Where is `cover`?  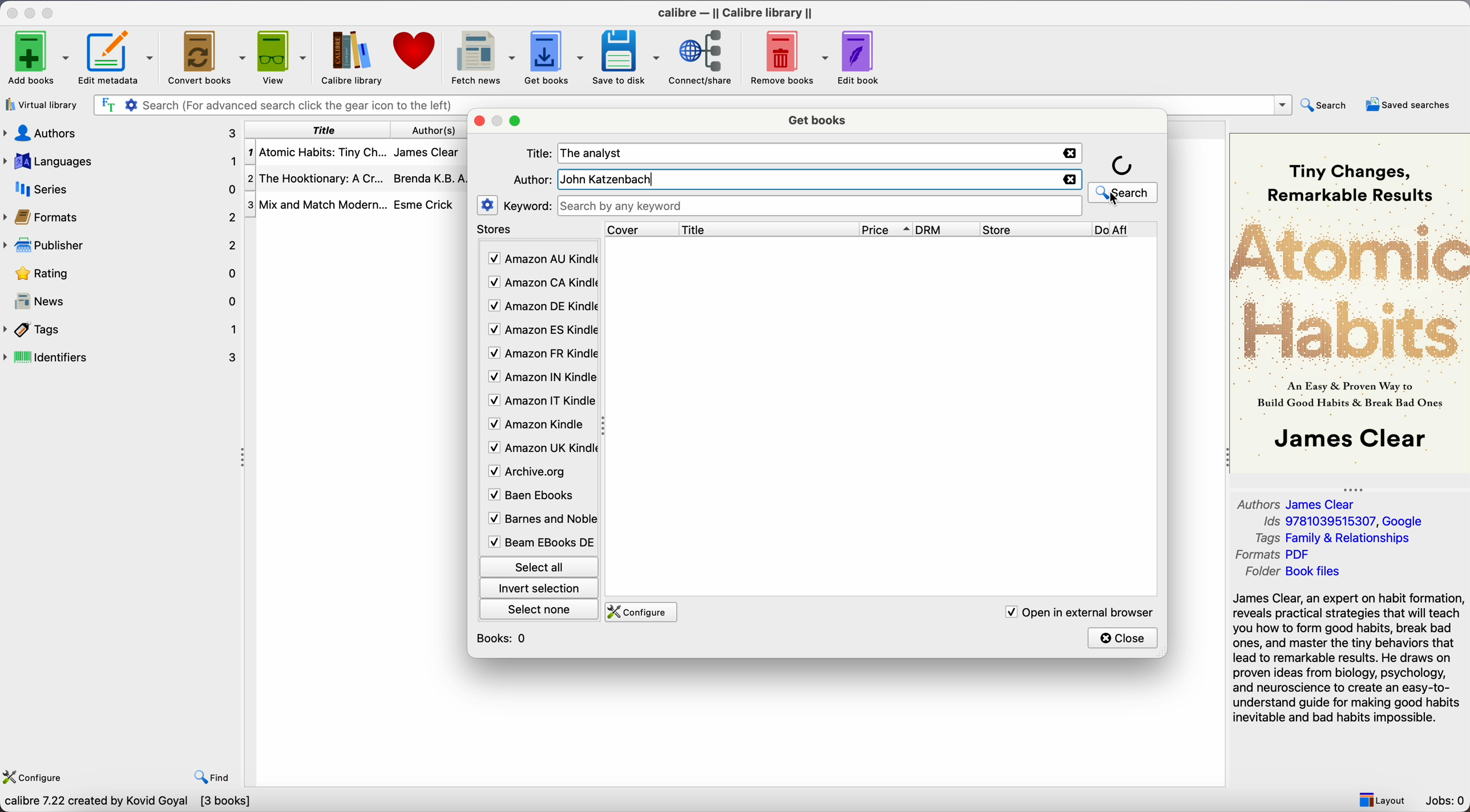
cover is located at coordinates (637, 229).